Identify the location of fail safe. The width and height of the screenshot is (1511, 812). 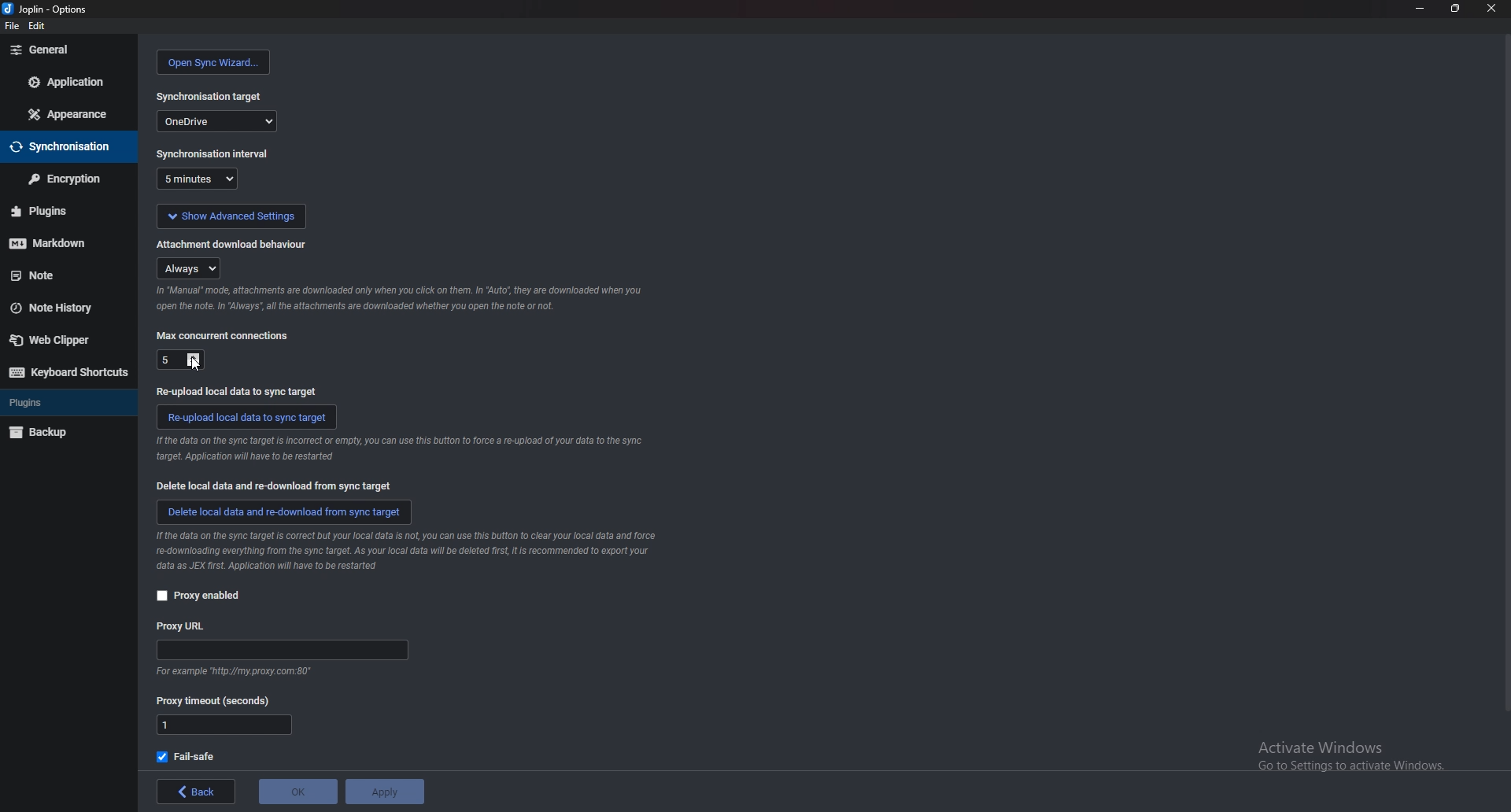
(191, 756).